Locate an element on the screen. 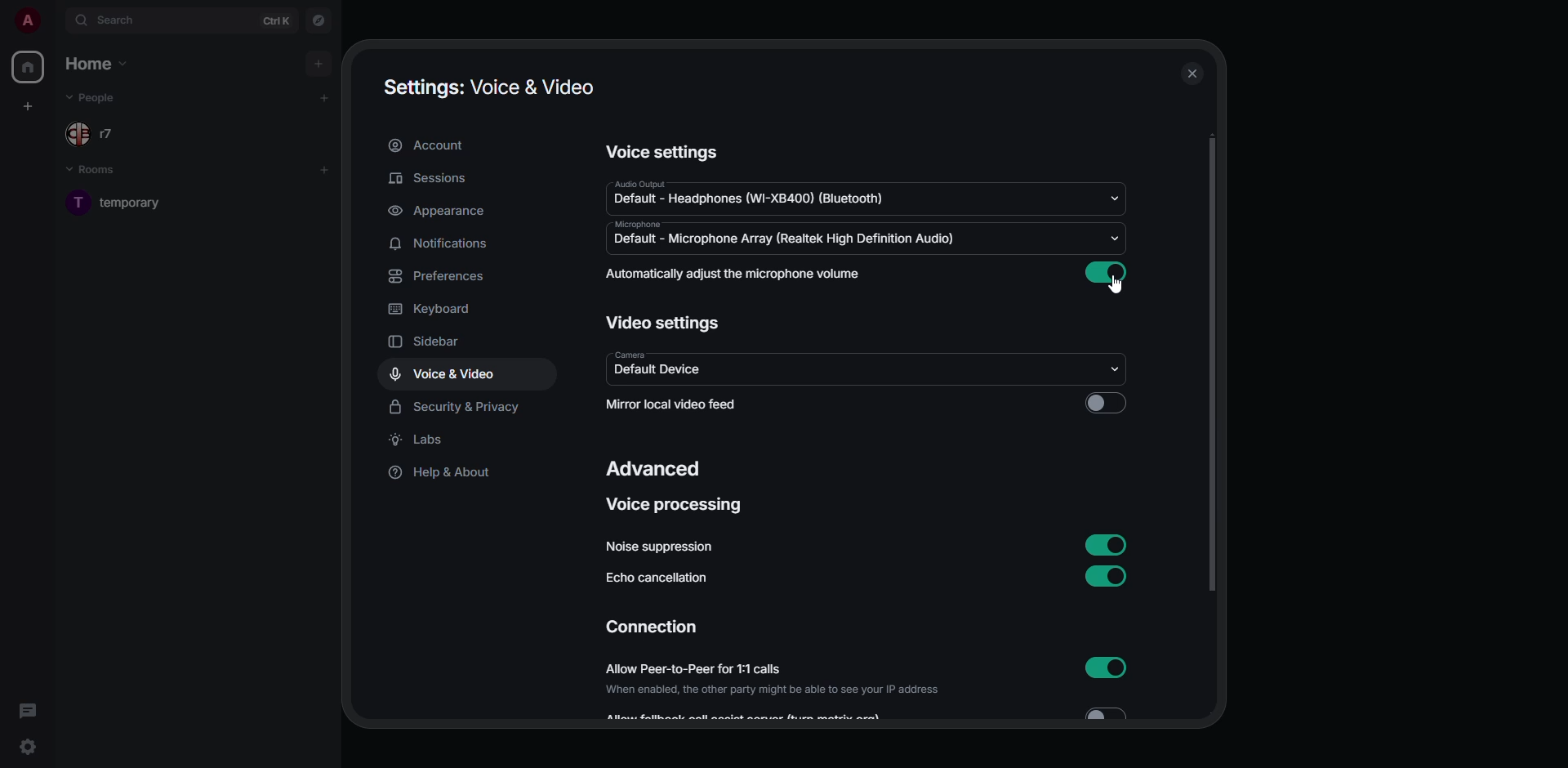  rooms is located at coordinates (94, 169).